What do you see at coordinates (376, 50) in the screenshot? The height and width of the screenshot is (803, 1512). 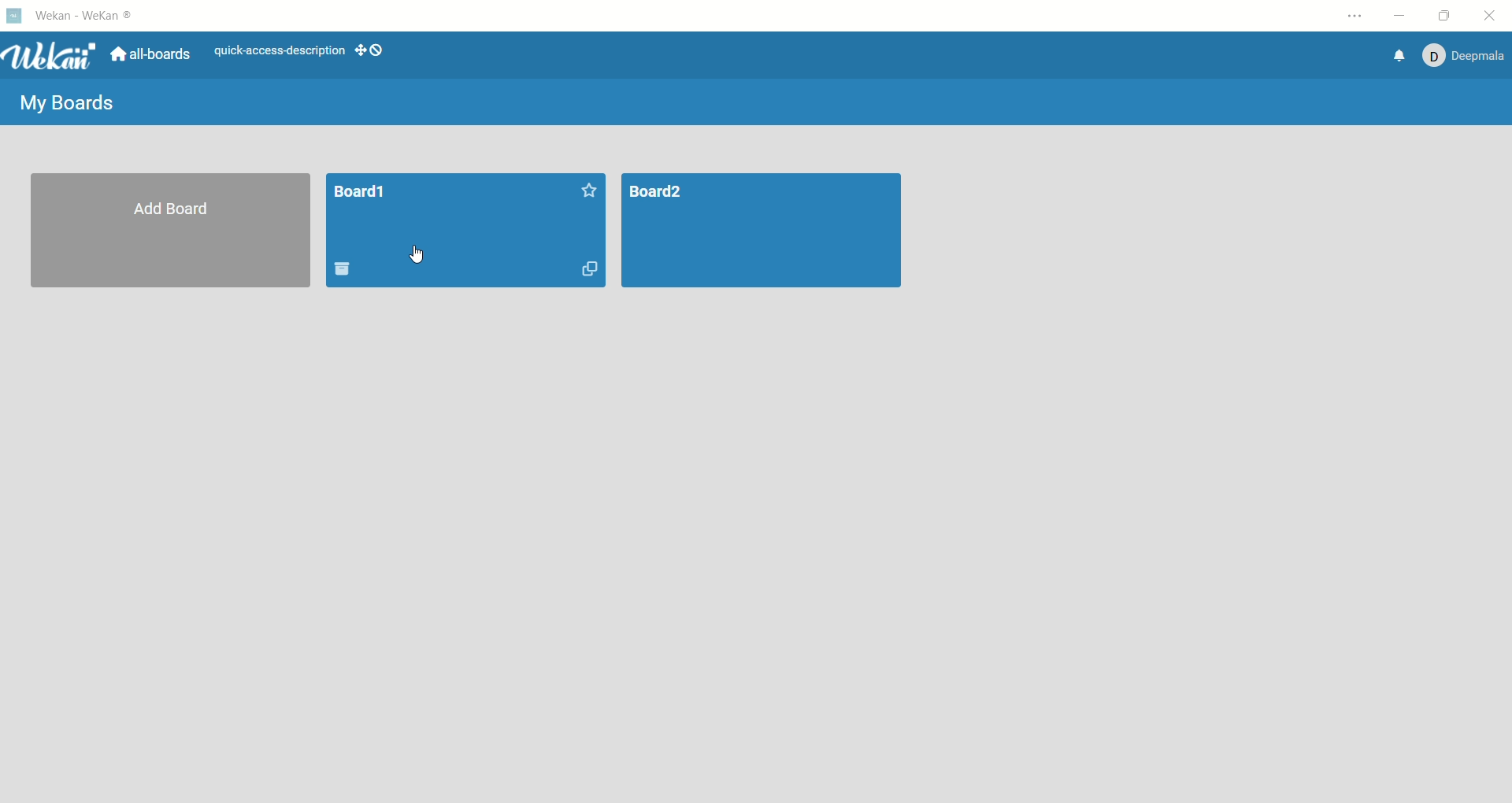 I see `show-desktop-drag-handles` at bounding box center [376, 50].